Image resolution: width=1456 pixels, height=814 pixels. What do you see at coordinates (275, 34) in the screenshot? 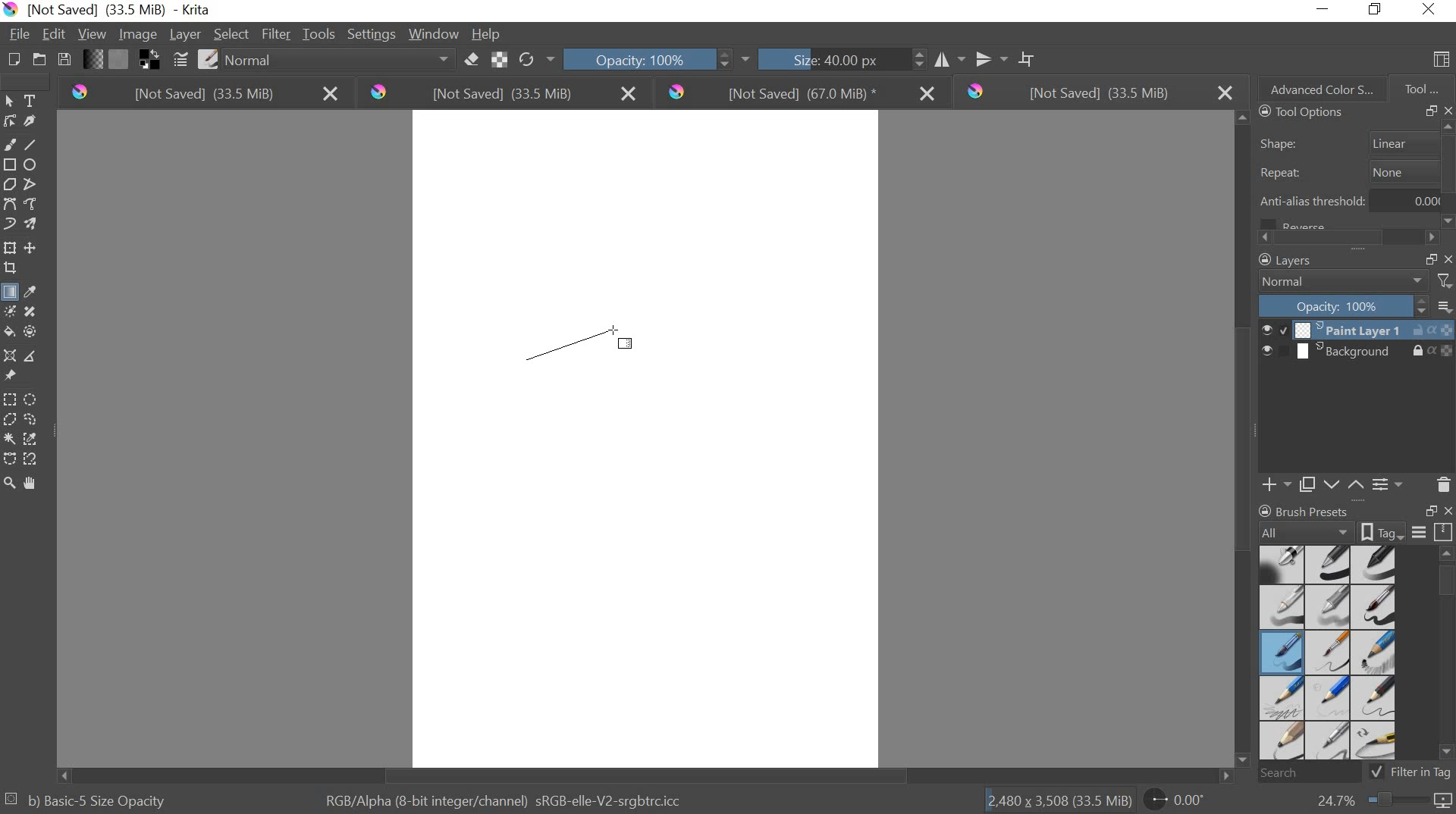
I see `FILTER` at bounding box center [275, 34].